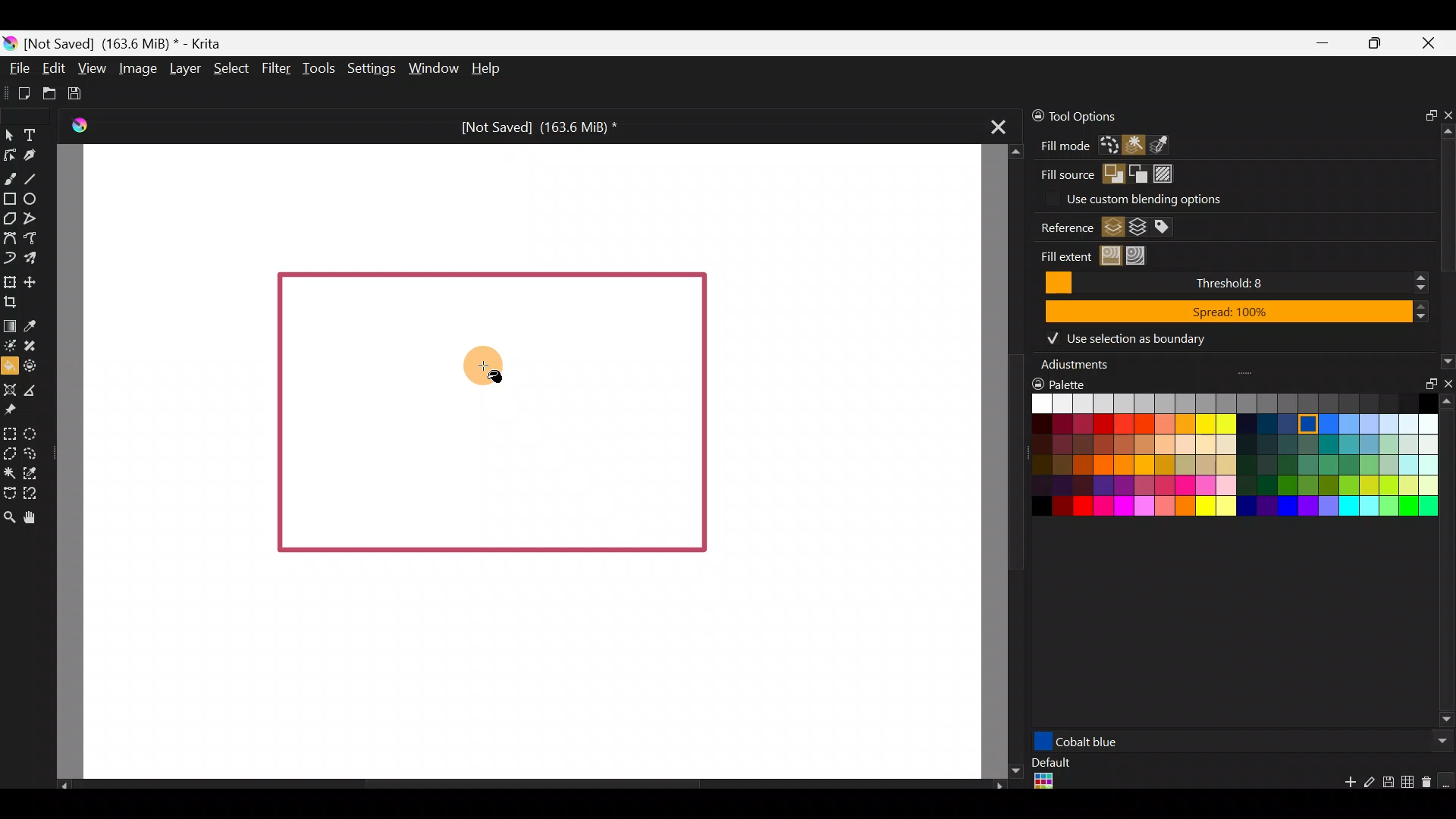 Image resolution: width=1456 pixels, height=819 pixels. Describe the element at coordinates (1429, 787) in the screenshot. I see `Remove swatch/group` at that location.